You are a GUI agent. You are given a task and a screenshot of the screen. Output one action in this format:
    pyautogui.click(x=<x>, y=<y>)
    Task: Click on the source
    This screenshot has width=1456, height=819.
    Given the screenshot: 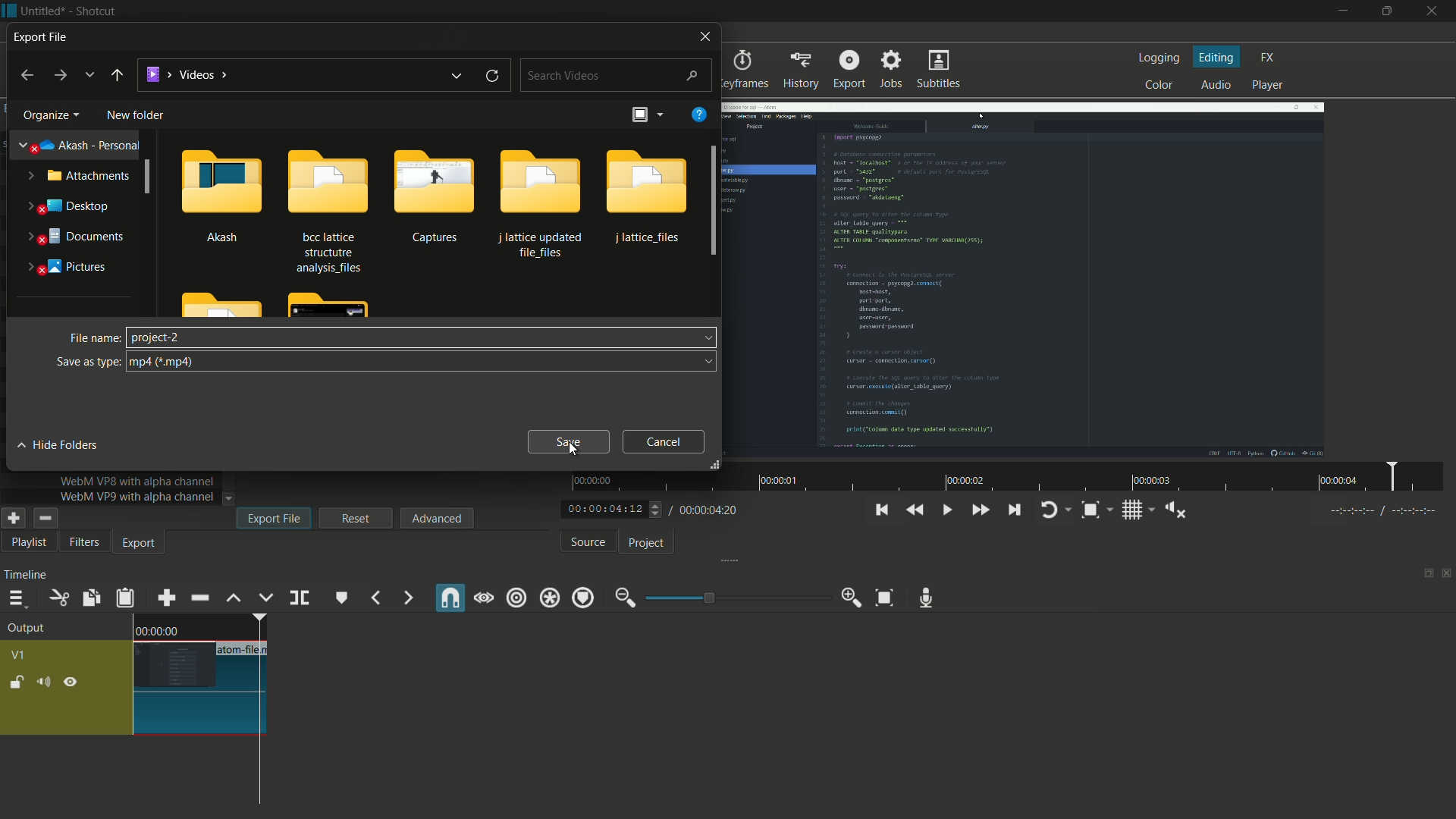 What is the action you would take?
    pyautogui.click(x=588, y=543)
    